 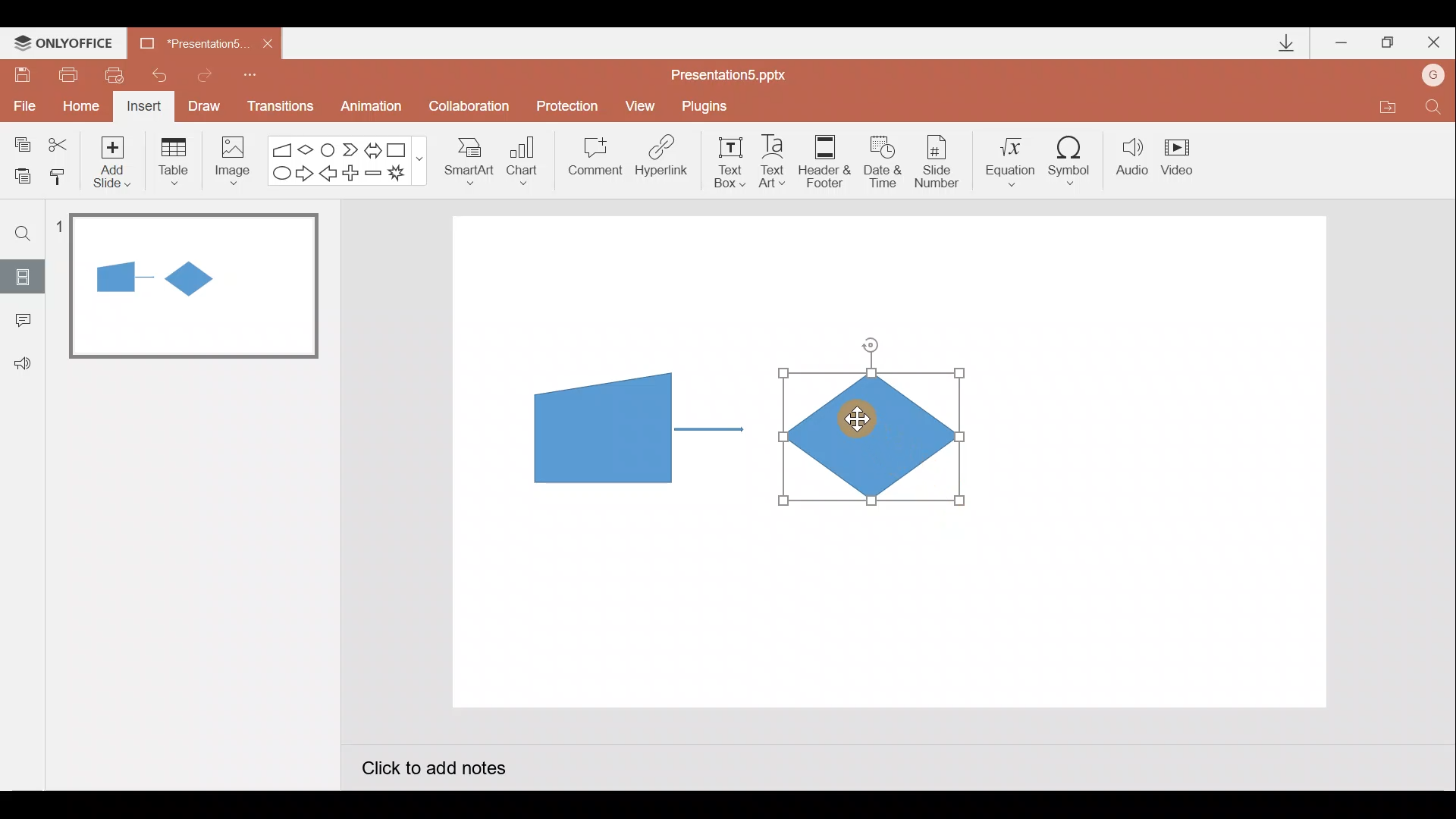 What do you see at coordinates (1013, 159) in the screenshot?
I see `Equation` at bounding box center [1013, 159].